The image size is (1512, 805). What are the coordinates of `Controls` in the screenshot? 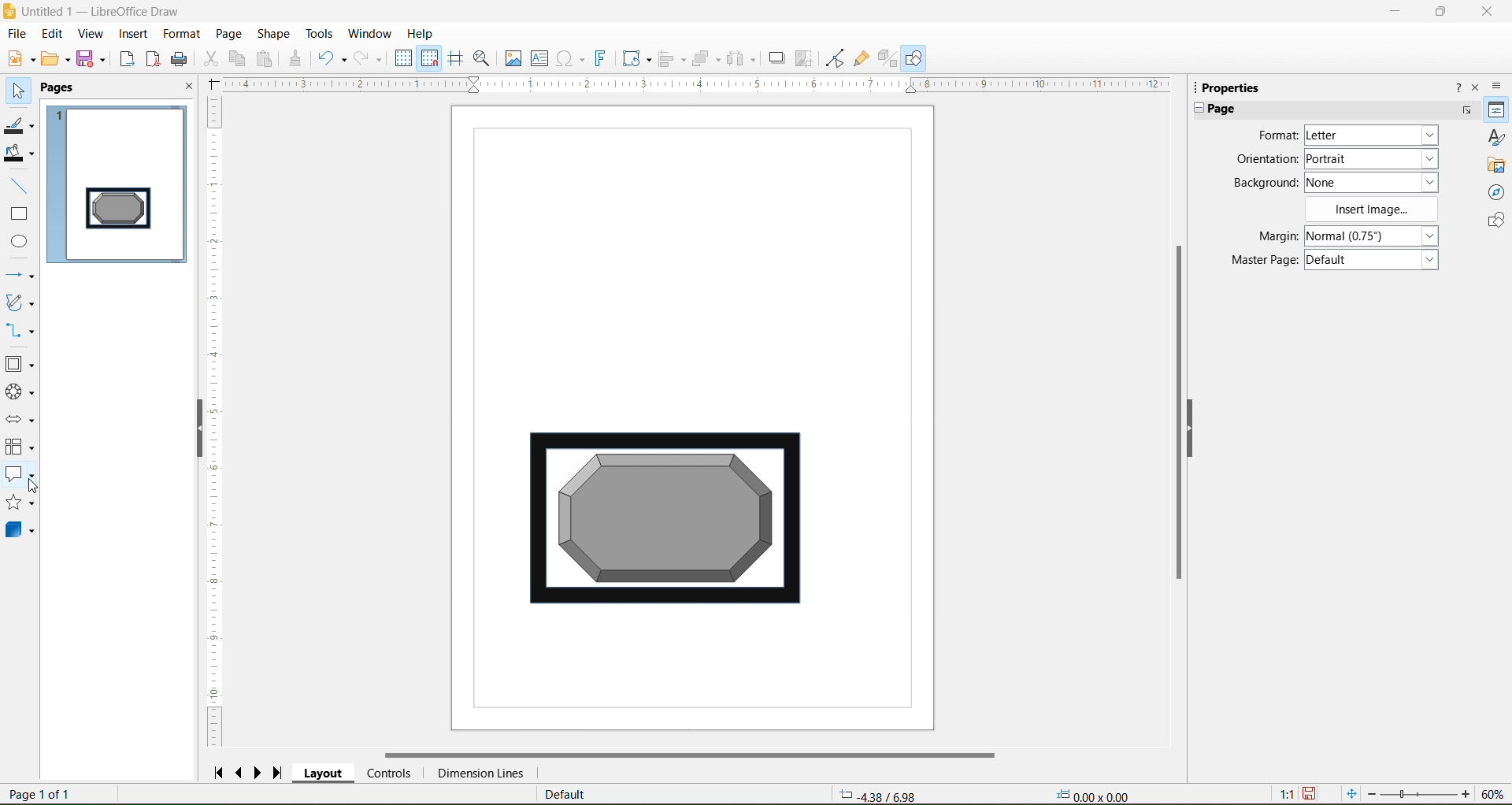 It's located at (389, 773).